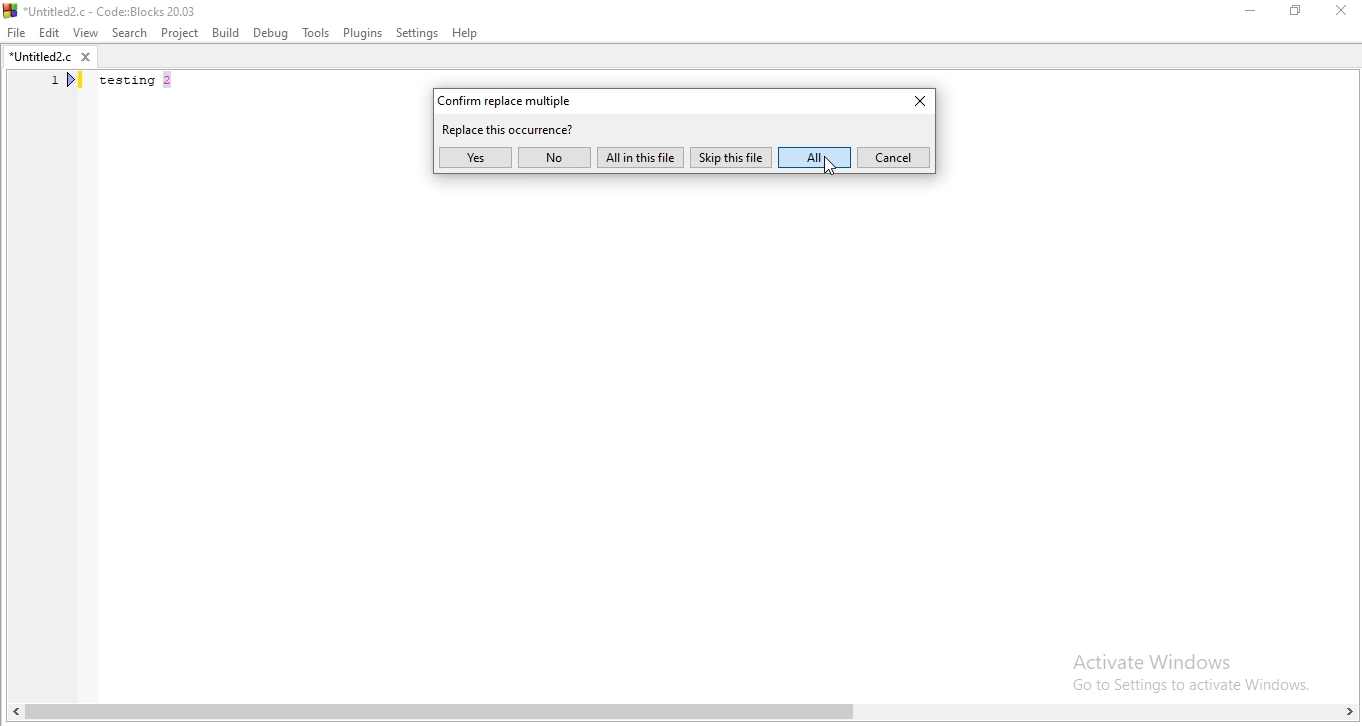 The height and width of the screenshot is (726, 1362). I want to click on Edit , so click(49, 33).